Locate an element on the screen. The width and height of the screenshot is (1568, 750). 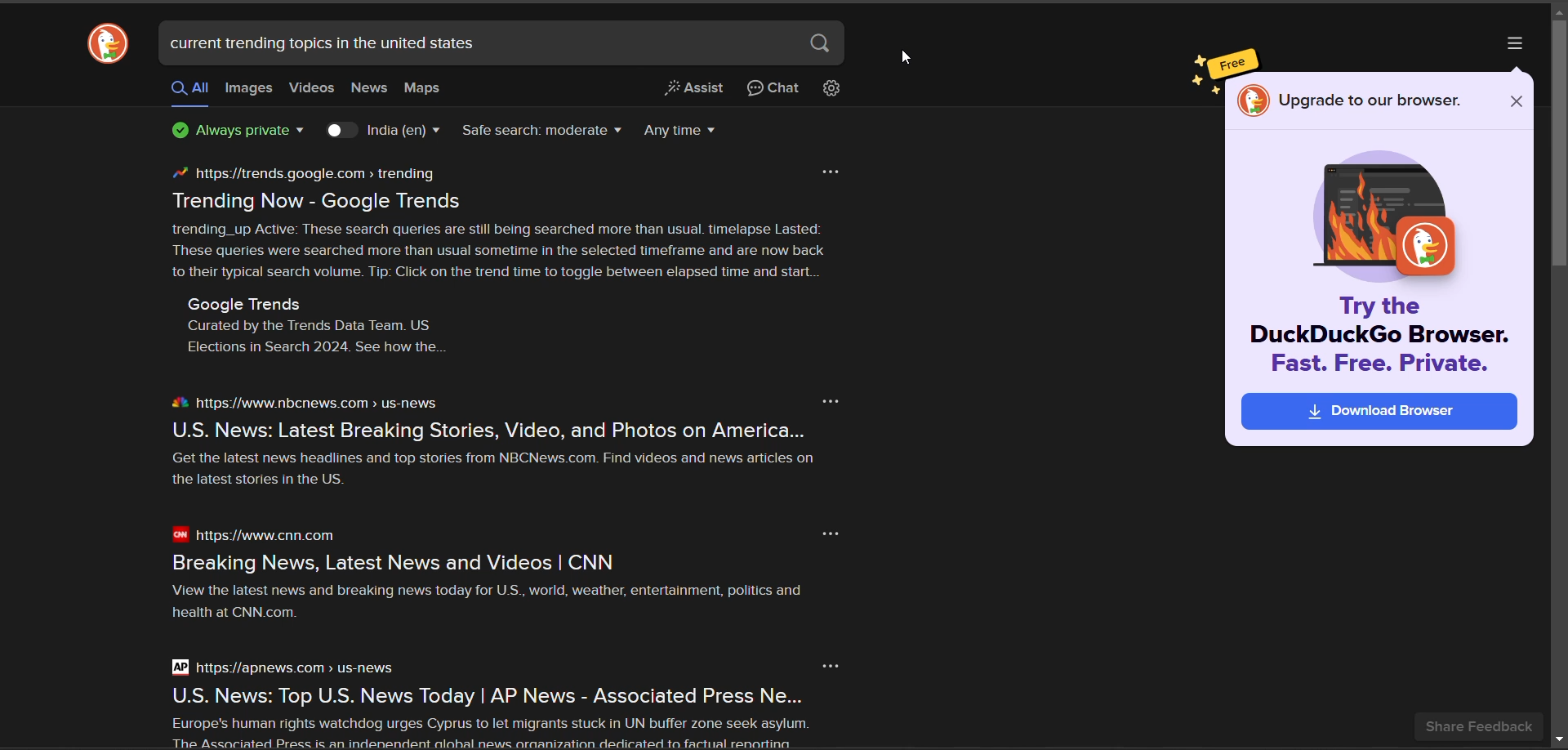
Trending Now - Google Trends is located at coordinates (324, 203).